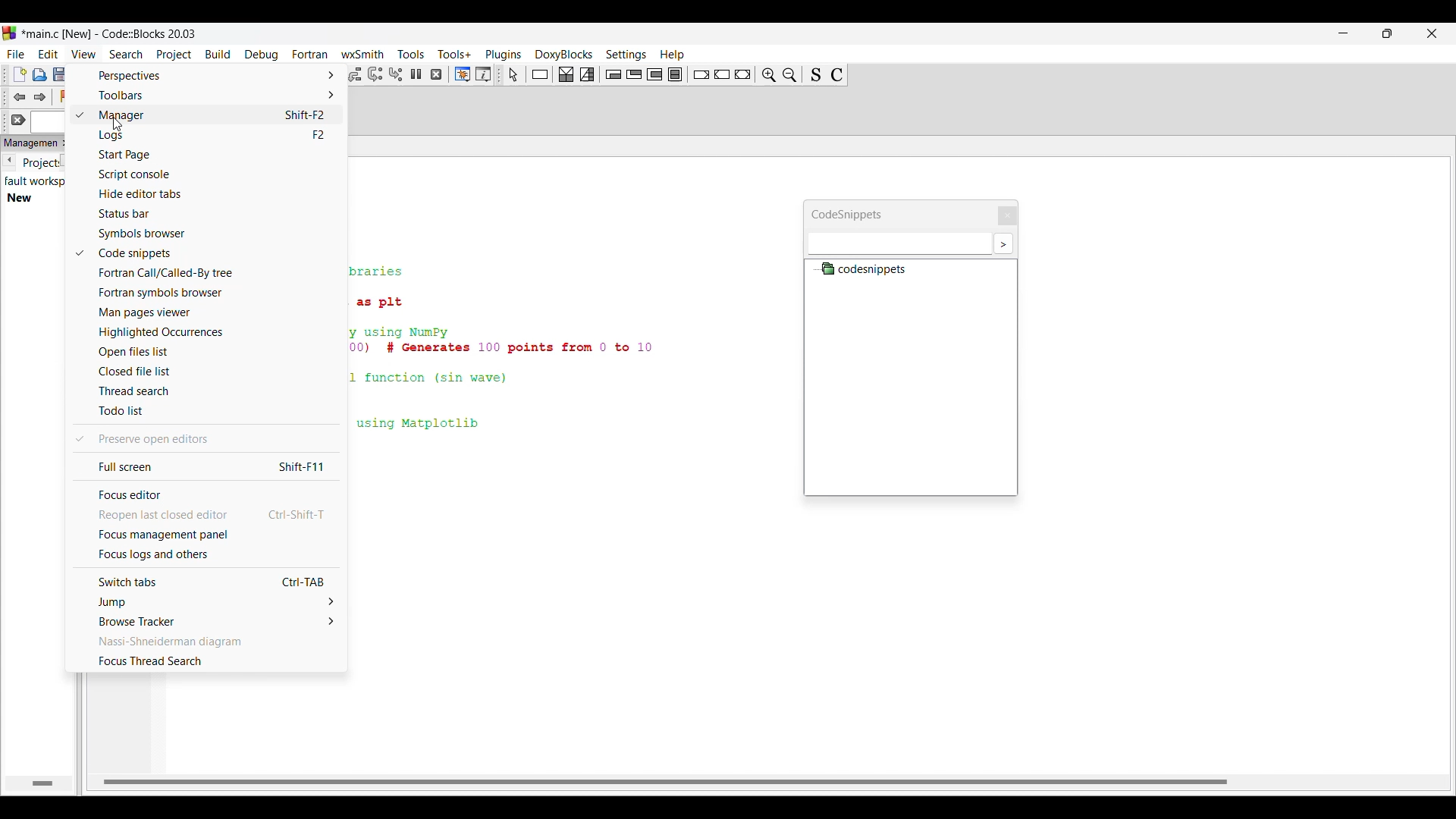 The image size is (1456, 819). Describe the element at coordinates (701, 75) in the screenshot. I see `Break instruction` at that location.